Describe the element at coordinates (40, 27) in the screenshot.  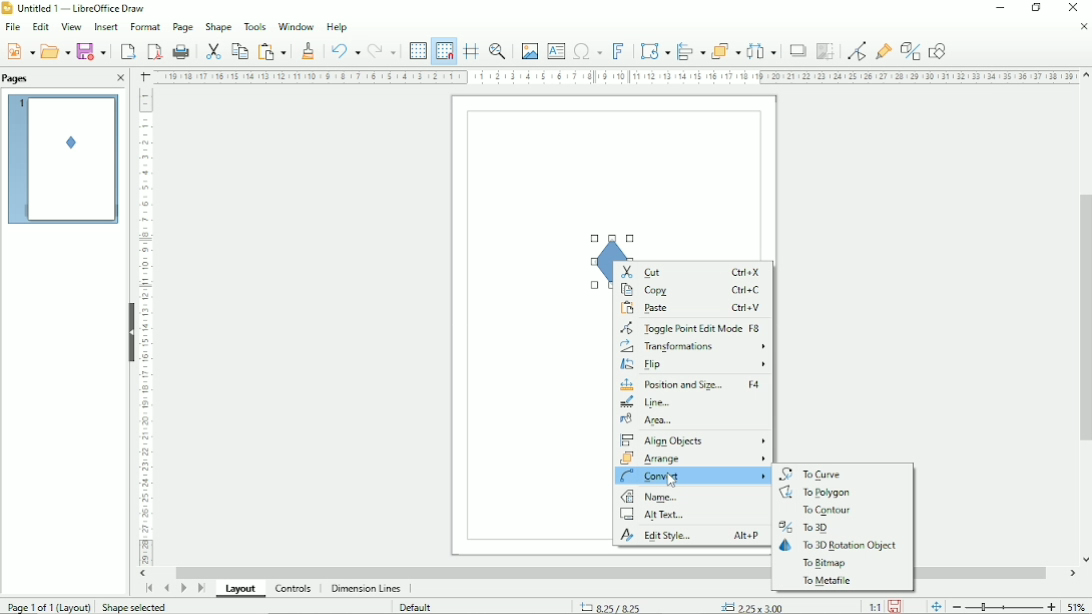
I see `Edit` at that location.